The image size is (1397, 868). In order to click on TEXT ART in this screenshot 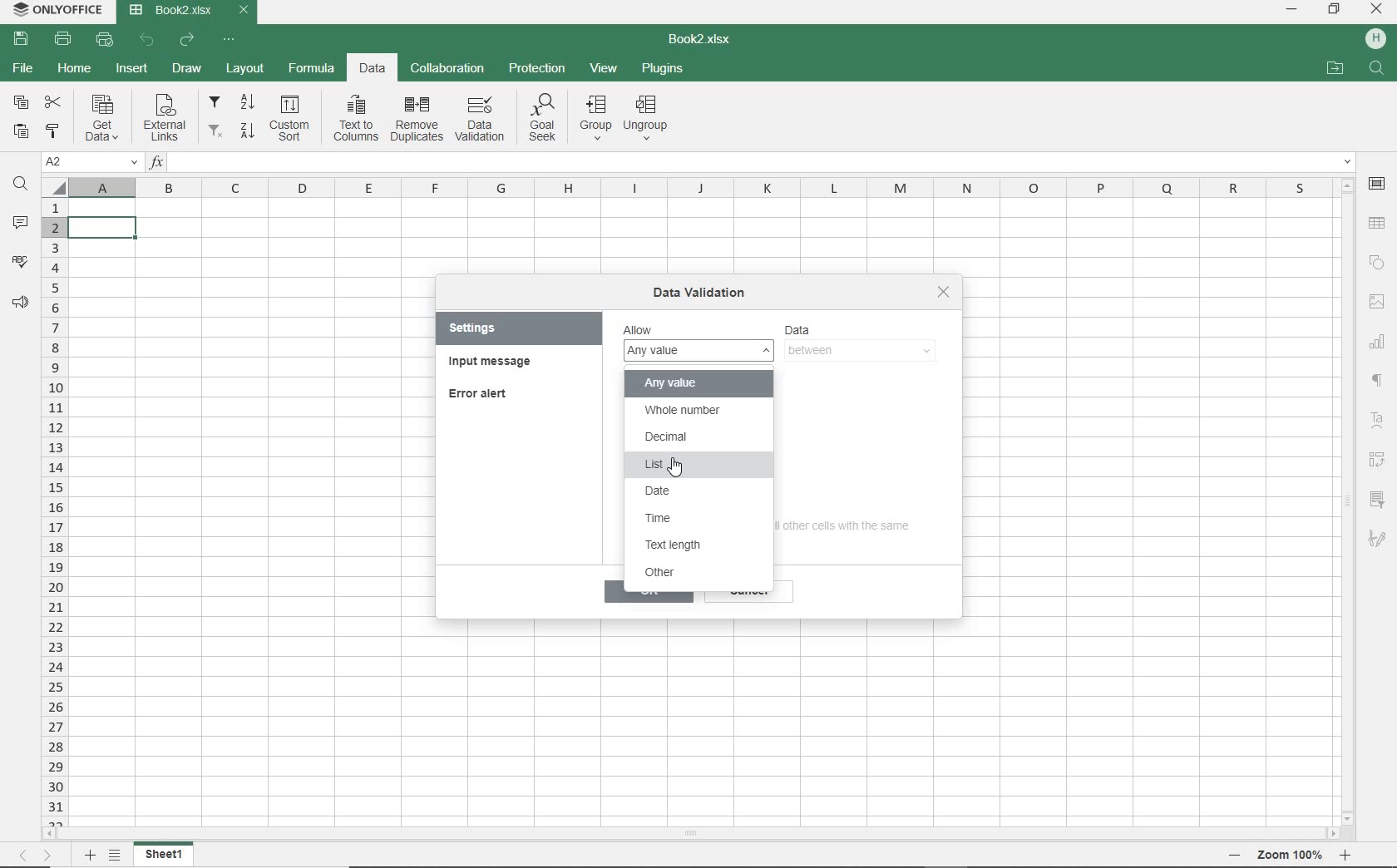, I will do `click(1378, 422)`.